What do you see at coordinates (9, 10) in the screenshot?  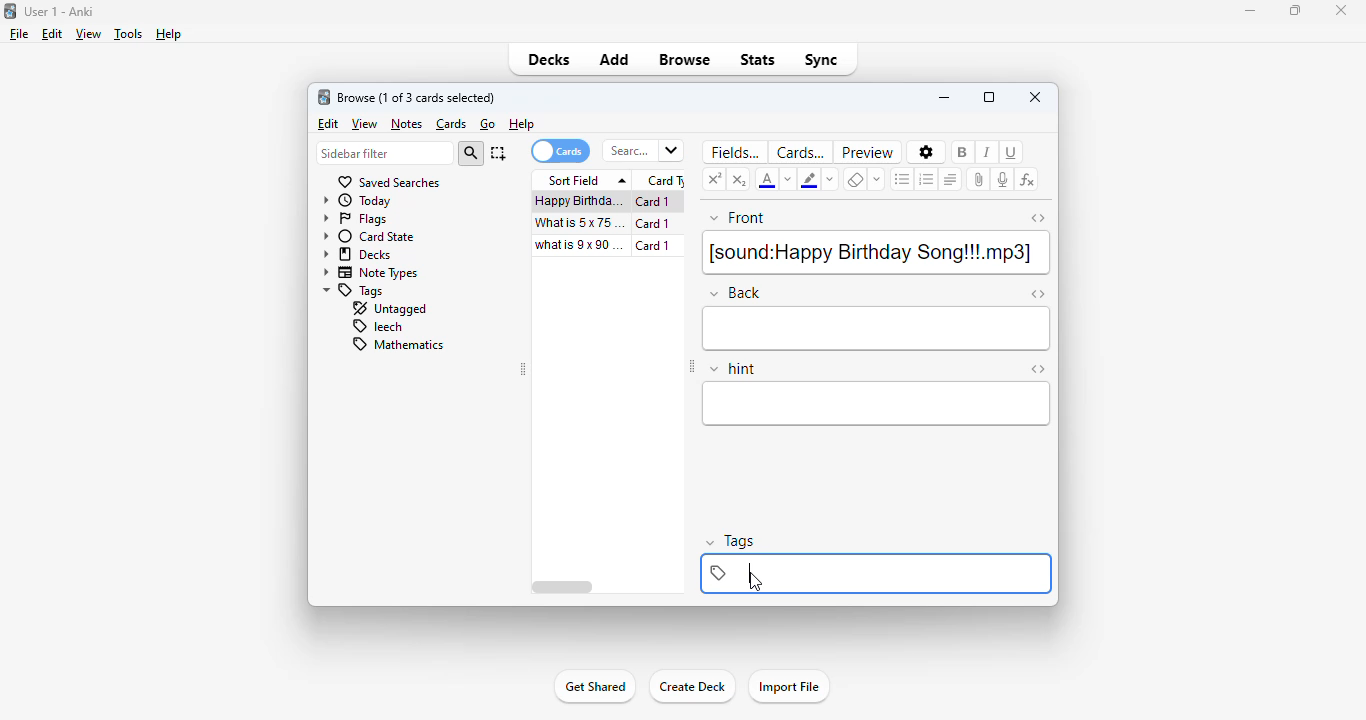 I see `logo` at bounding box center [9, 10].